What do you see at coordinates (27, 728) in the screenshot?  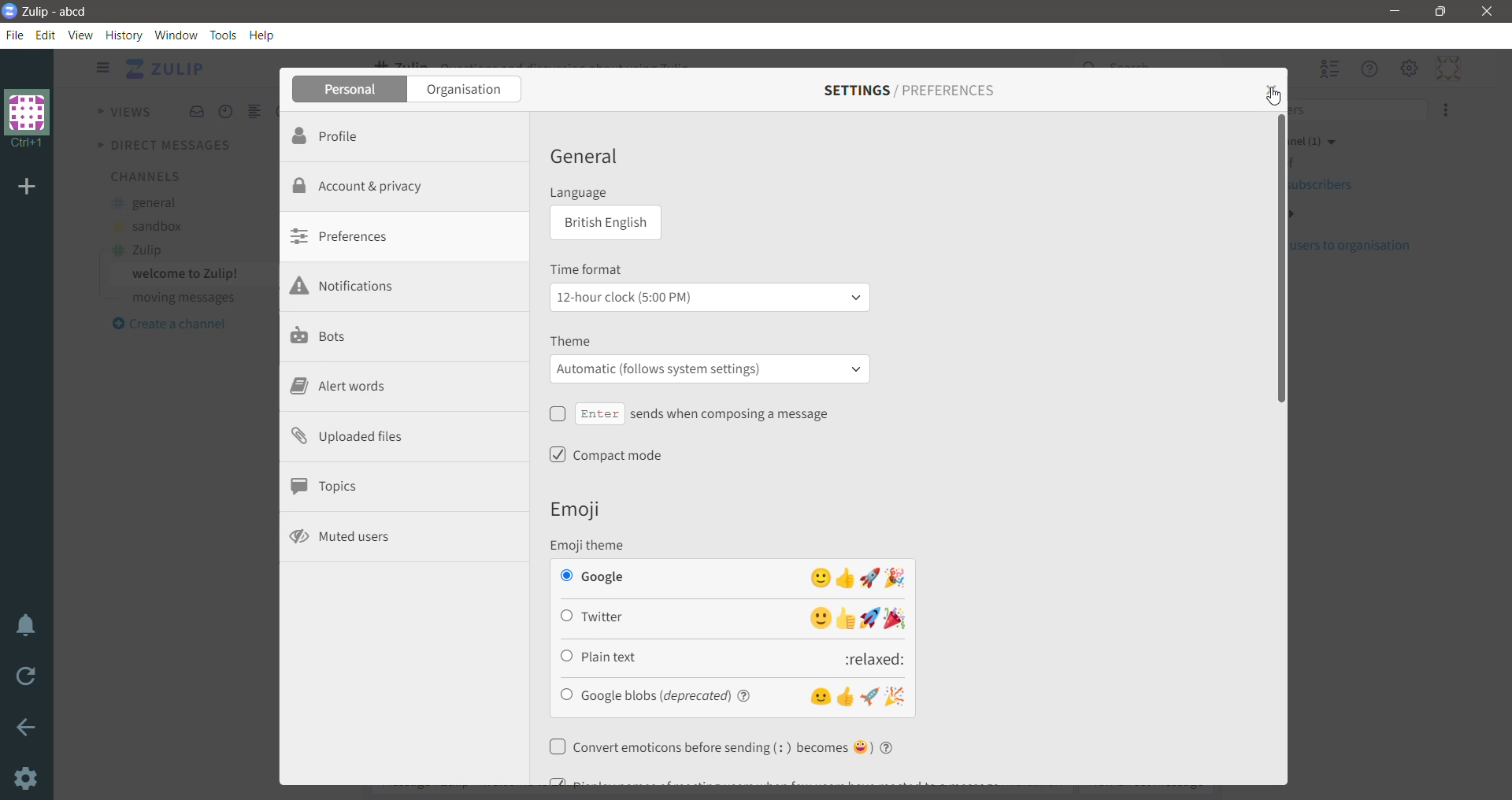 I see `Go back` at bounding box center [27, 728].